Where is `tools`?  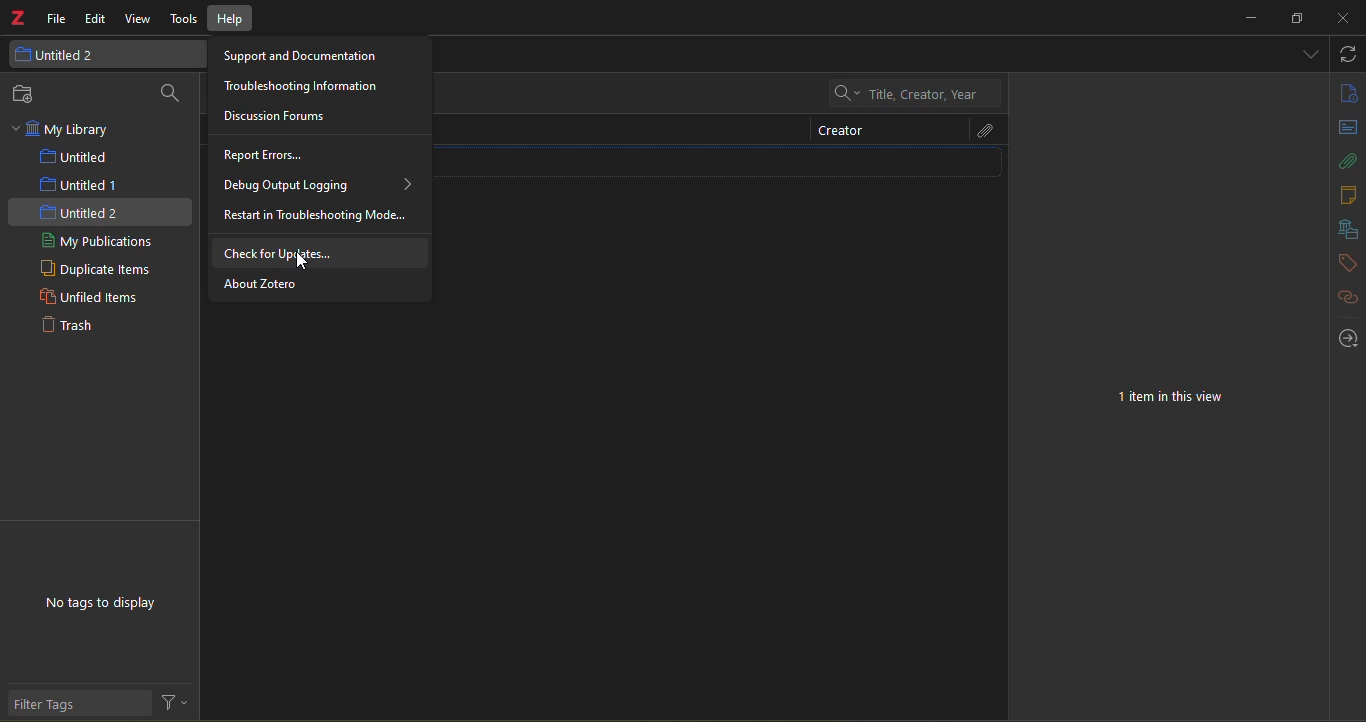 tools is located at coordinates (185, 20).